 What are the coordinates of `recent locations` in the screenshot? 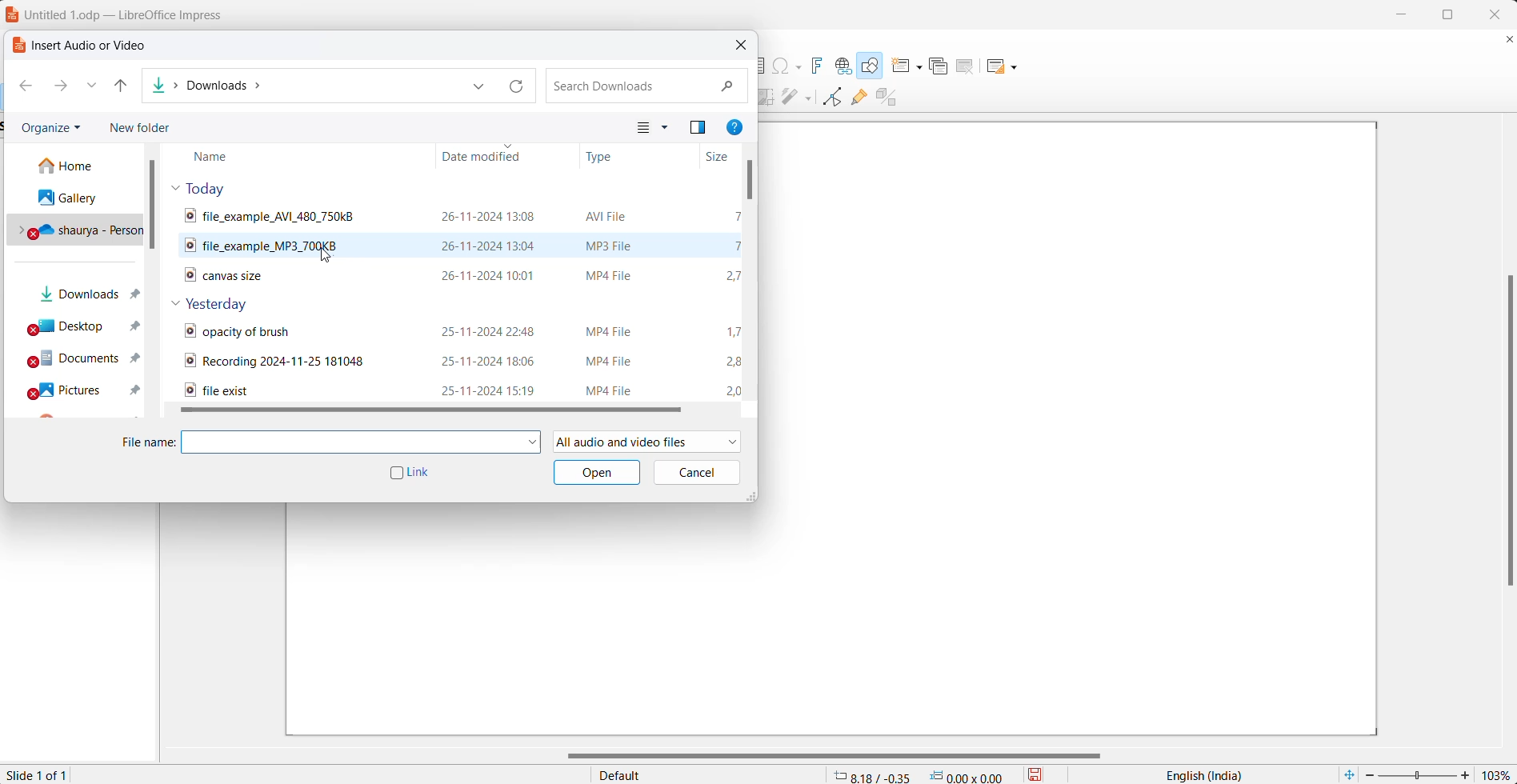 It's located at (91, 88).